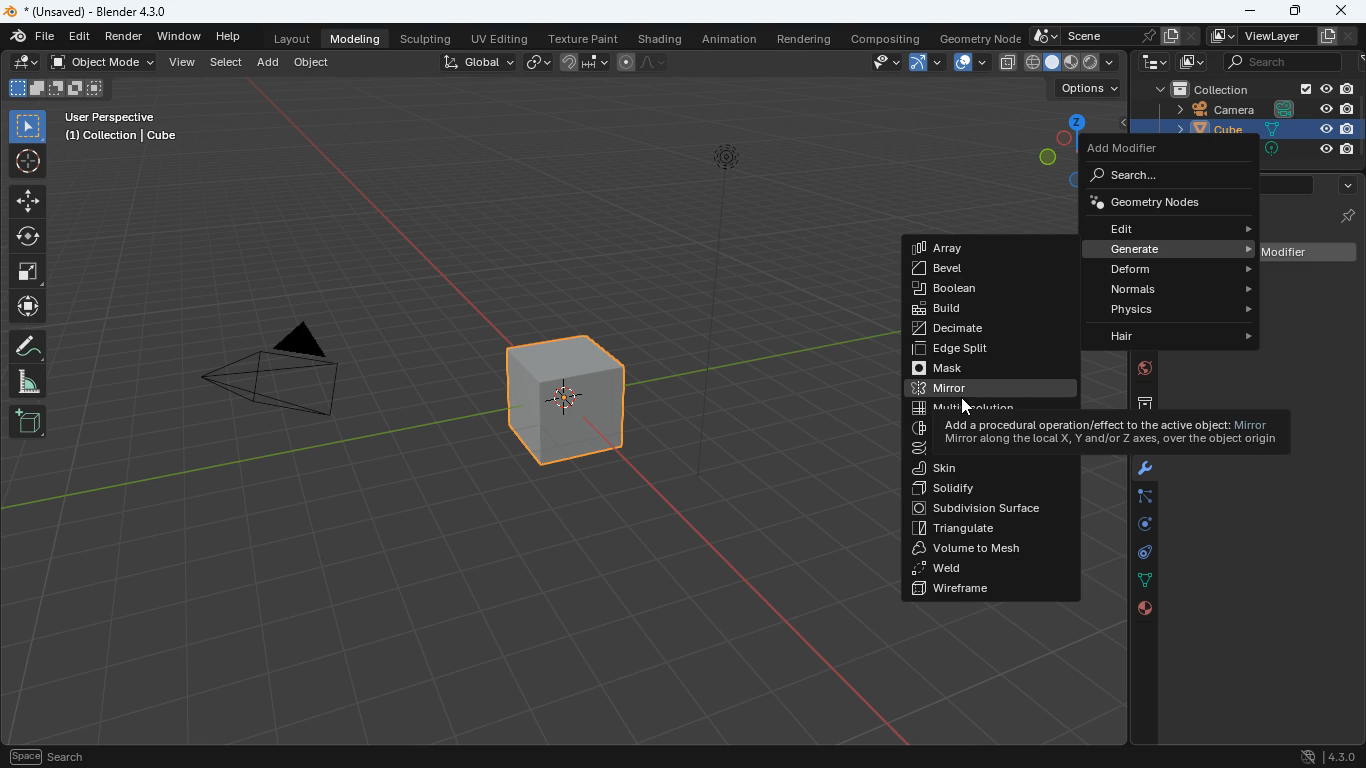 The image size is (1366, 768). Describe the element at coordinates (872, 63) in the screenshot. I see `view` at that location.